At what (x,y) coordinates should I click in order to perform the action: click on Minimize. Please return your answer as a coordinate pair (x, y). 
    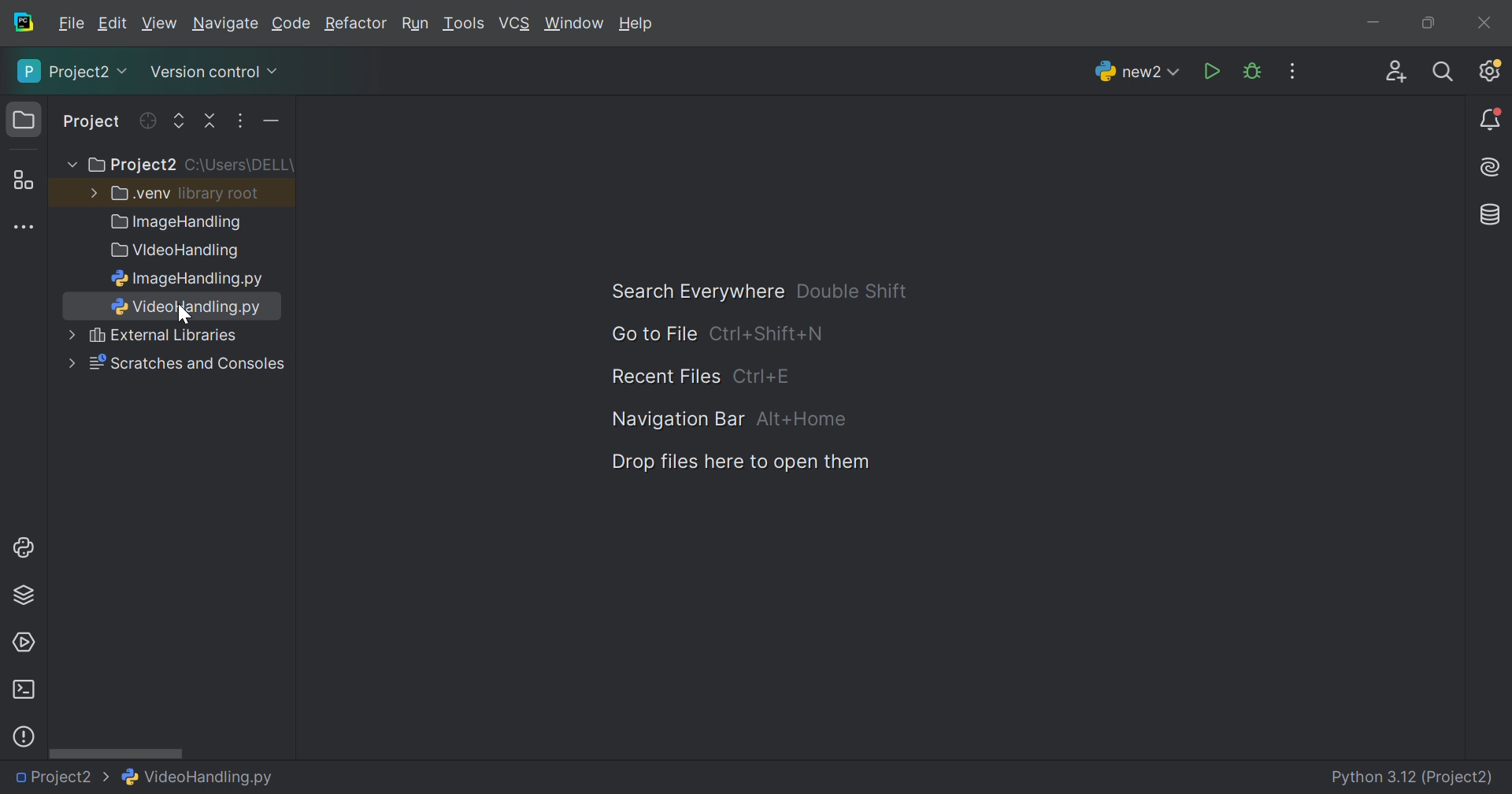
    Looking at the image, I should click on (1378, 25).